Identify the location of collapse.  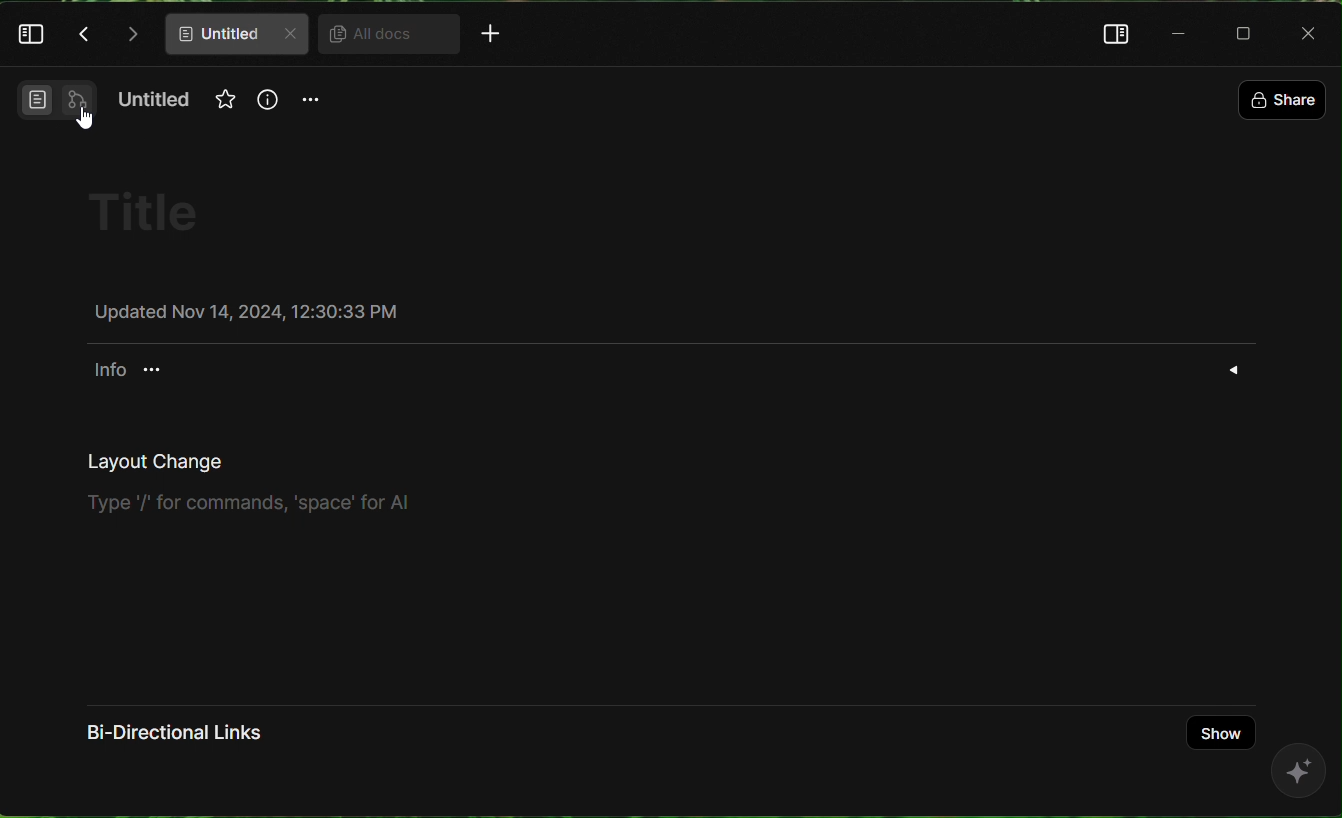
(1236, 370).